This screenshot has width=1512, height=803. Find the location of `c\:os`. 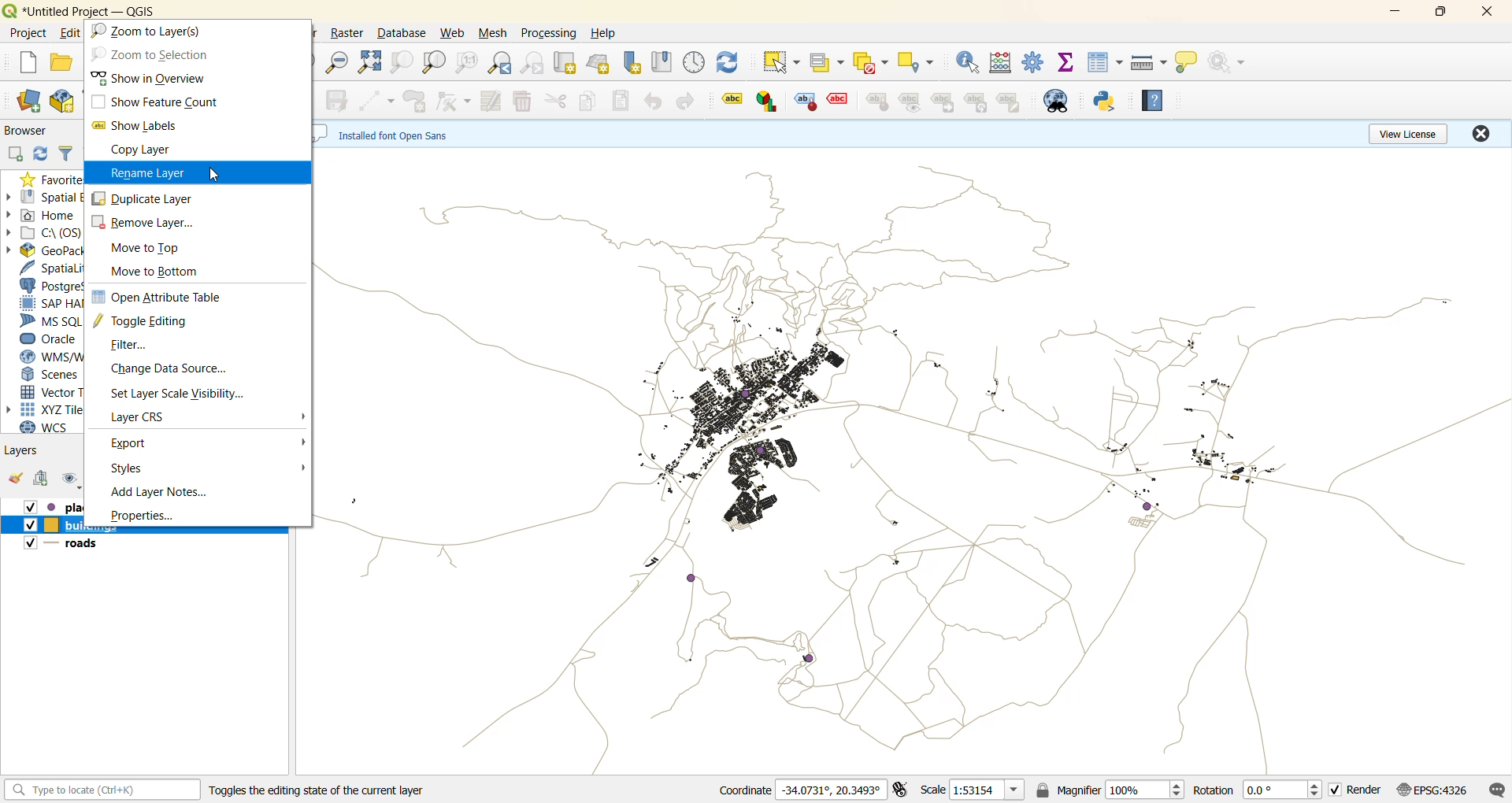

c\:os is located at coordinates (46, 235).